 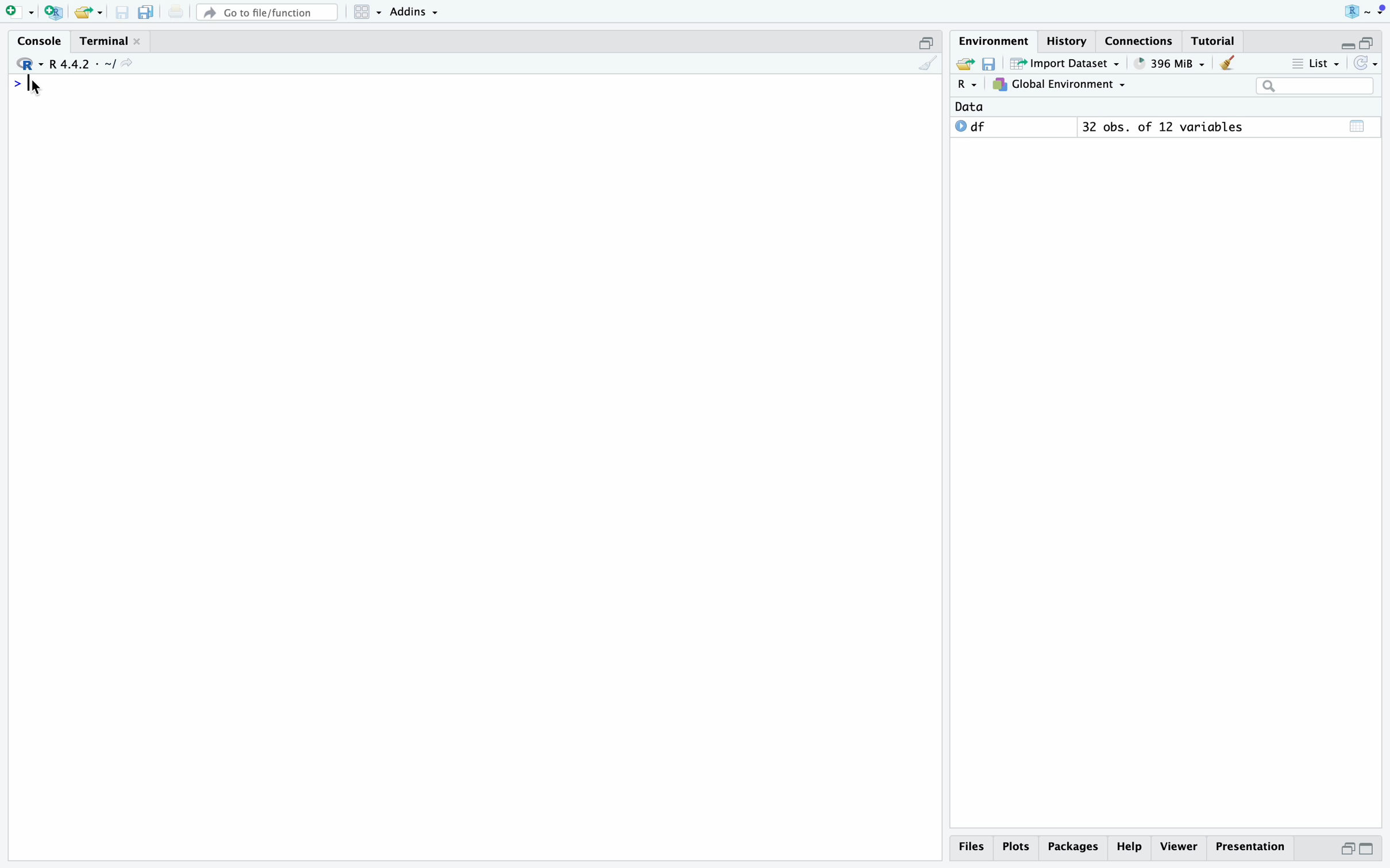 What do you see at coordinates (122, 13) in the screenshot?
I see `save` at bounding box center [122, 13].